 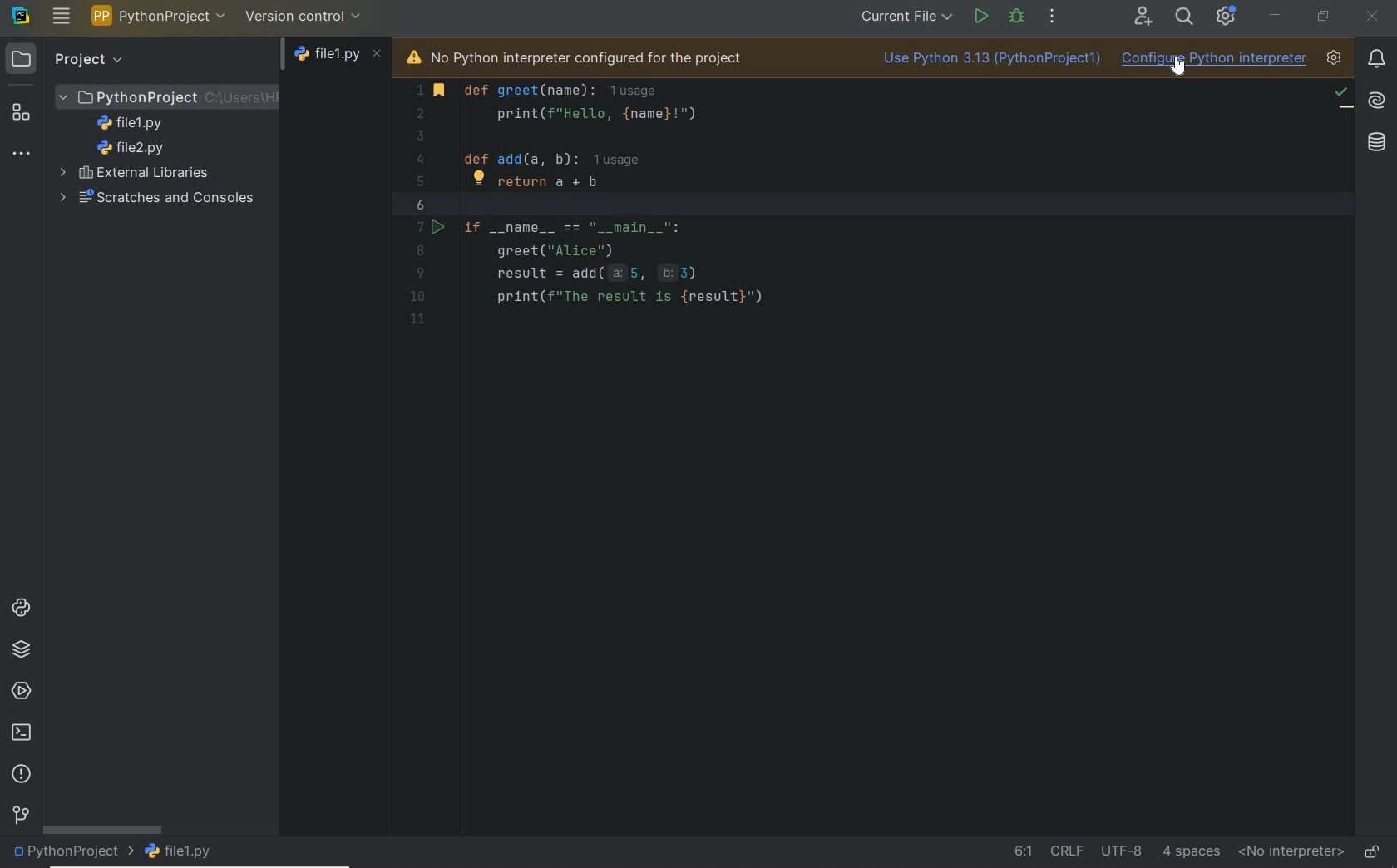 What do you see at coordinates (304, 16) in the screenshot?
I see `version control` at bounding box center [304, 16].